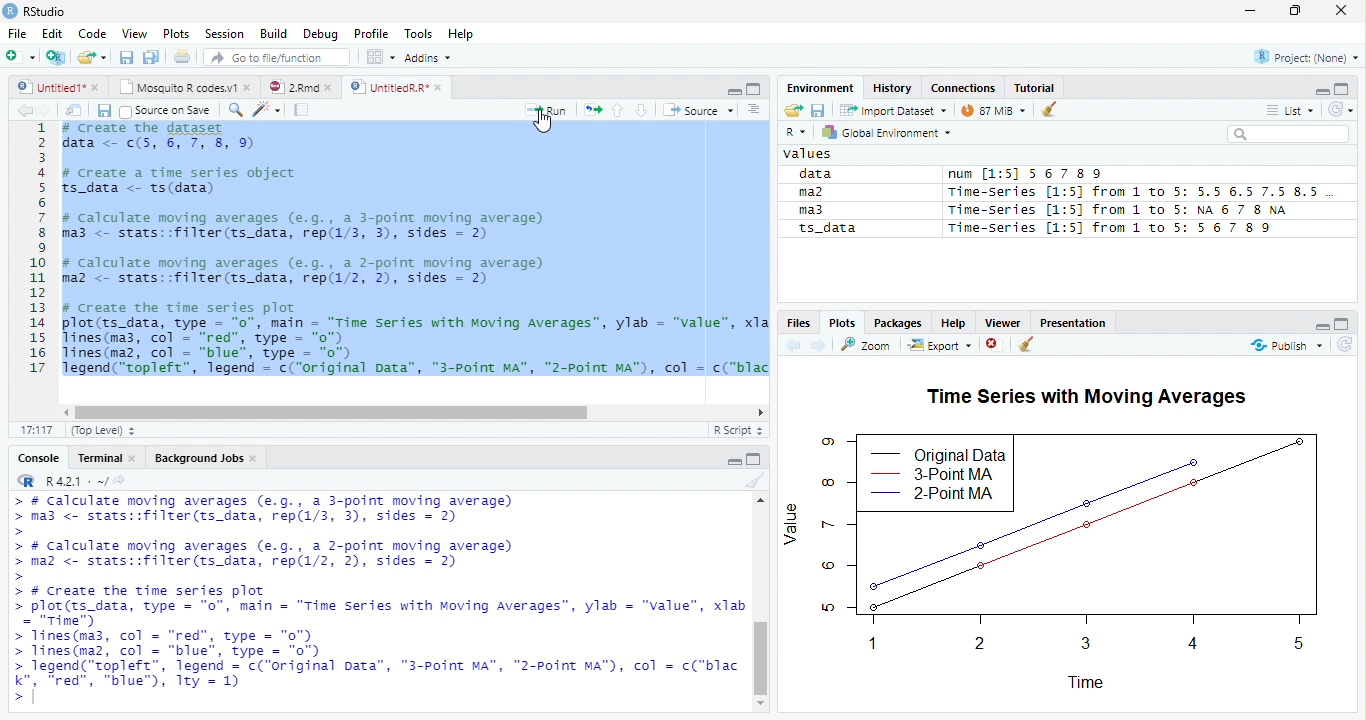  I want to click on R 4.2.1 . ~/, so click(74, 480).